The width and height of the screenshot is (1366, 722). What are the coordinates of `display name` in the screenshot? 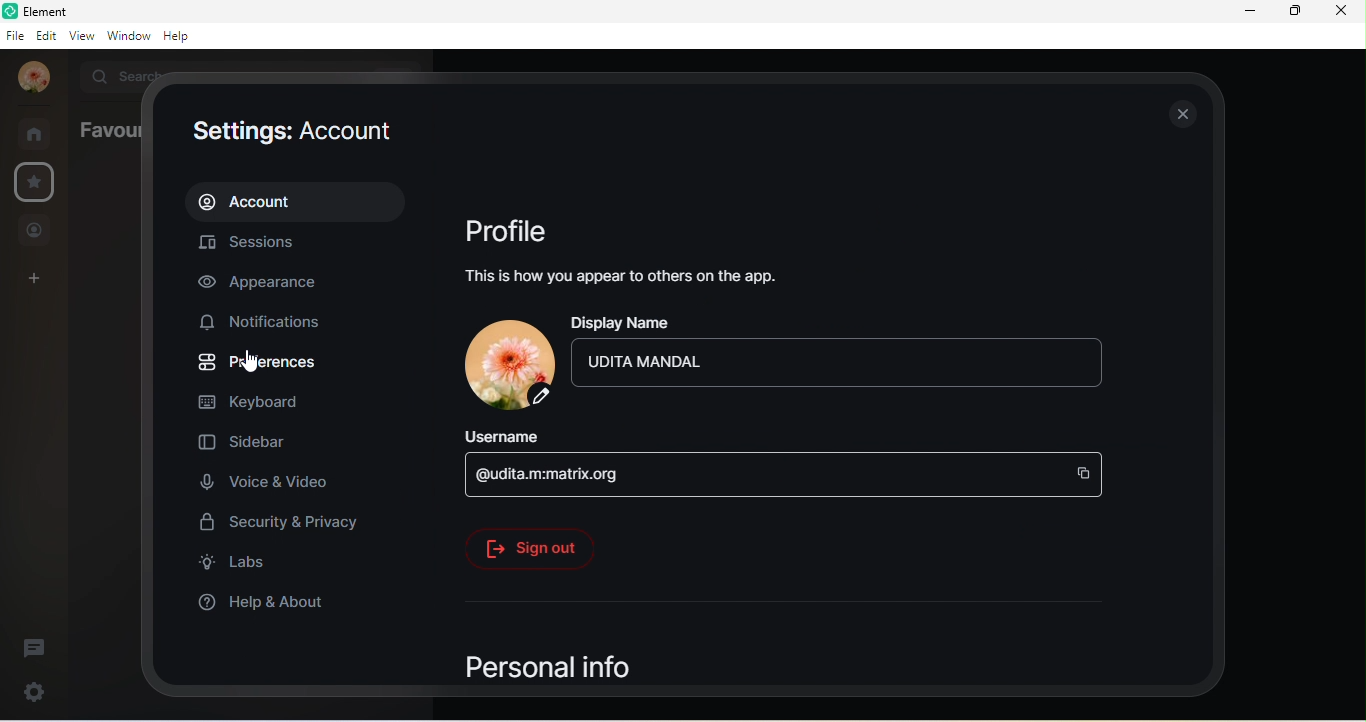 It's located at (842, 320).